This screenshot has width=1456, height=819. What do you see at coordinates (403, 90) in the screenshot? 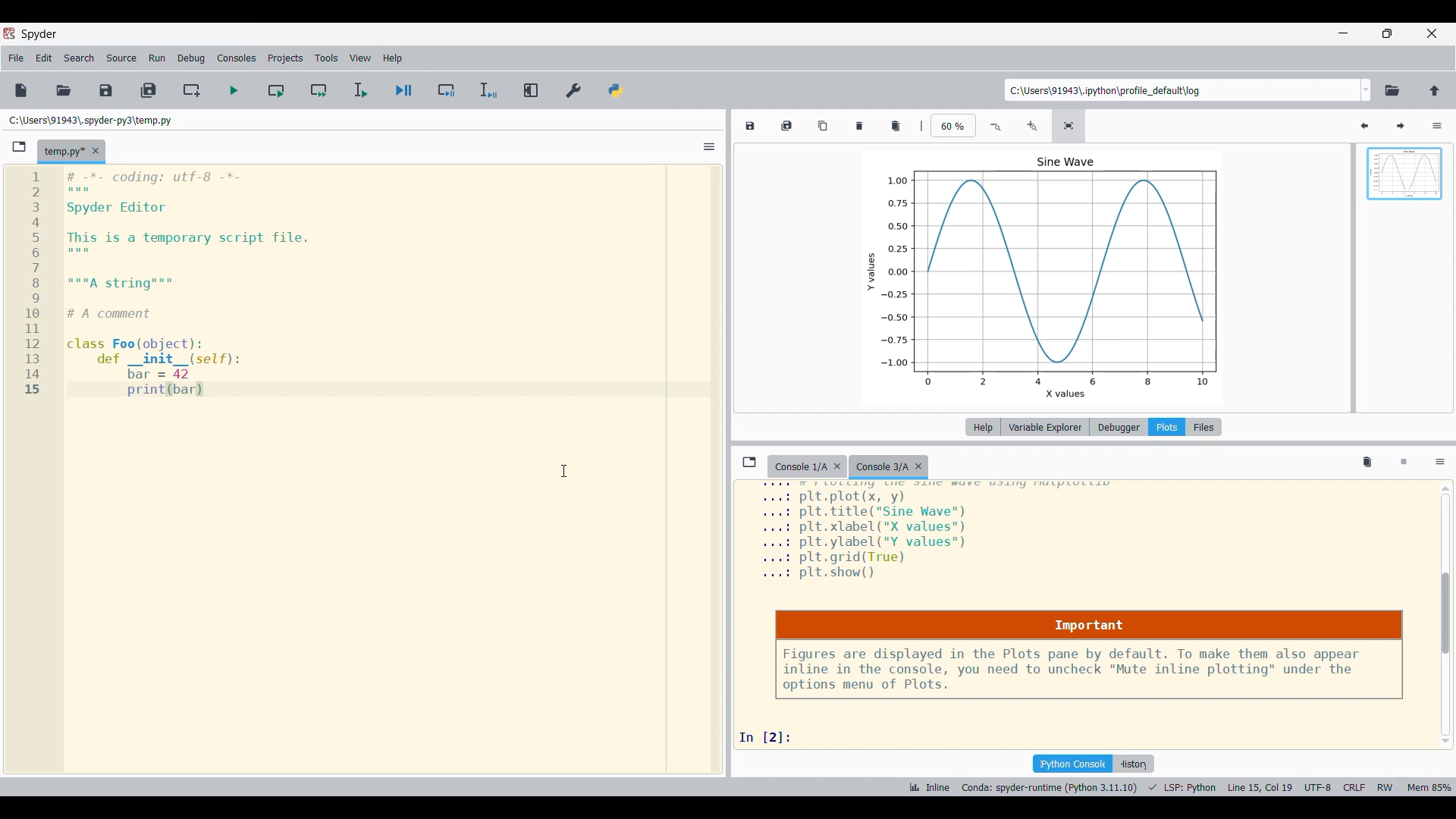
I see `Debug file` at bounding box center [403, 90].